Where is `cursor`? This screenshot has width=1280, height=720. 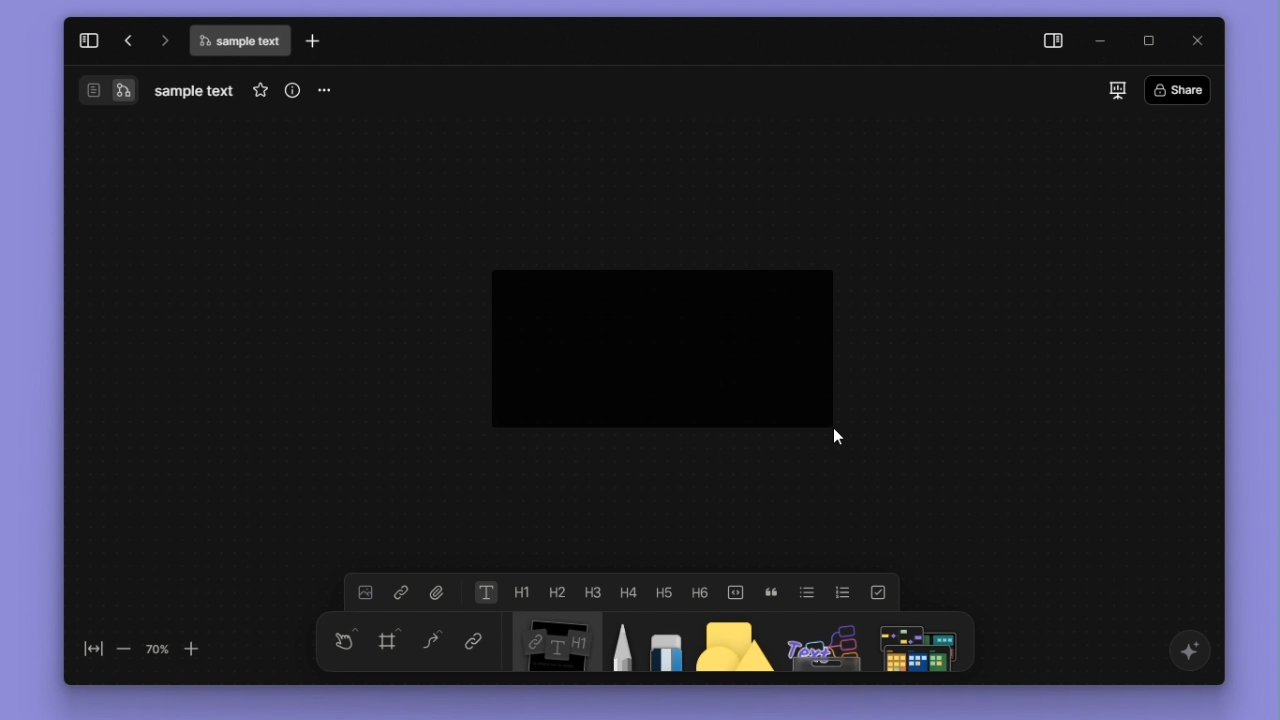
cursor is located at coordinates (848, 441).